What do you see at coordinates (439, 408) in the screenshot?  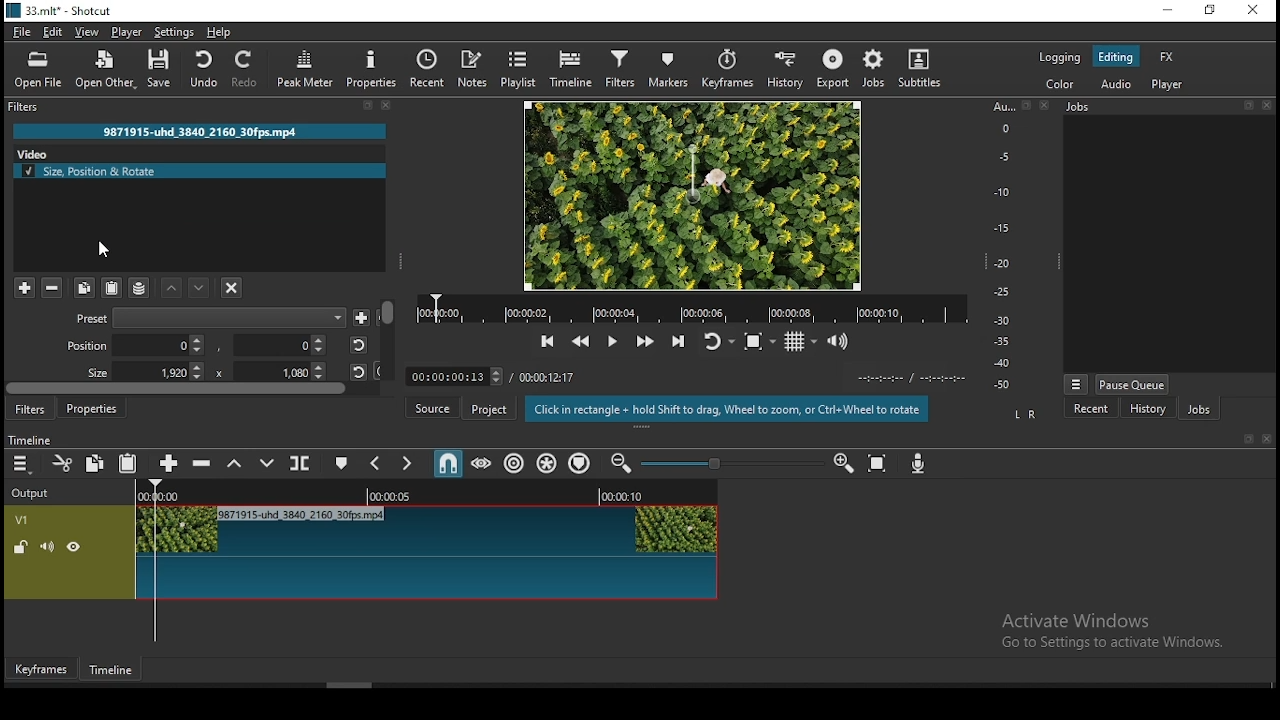 I see `source` at bounding box center [439, 408].